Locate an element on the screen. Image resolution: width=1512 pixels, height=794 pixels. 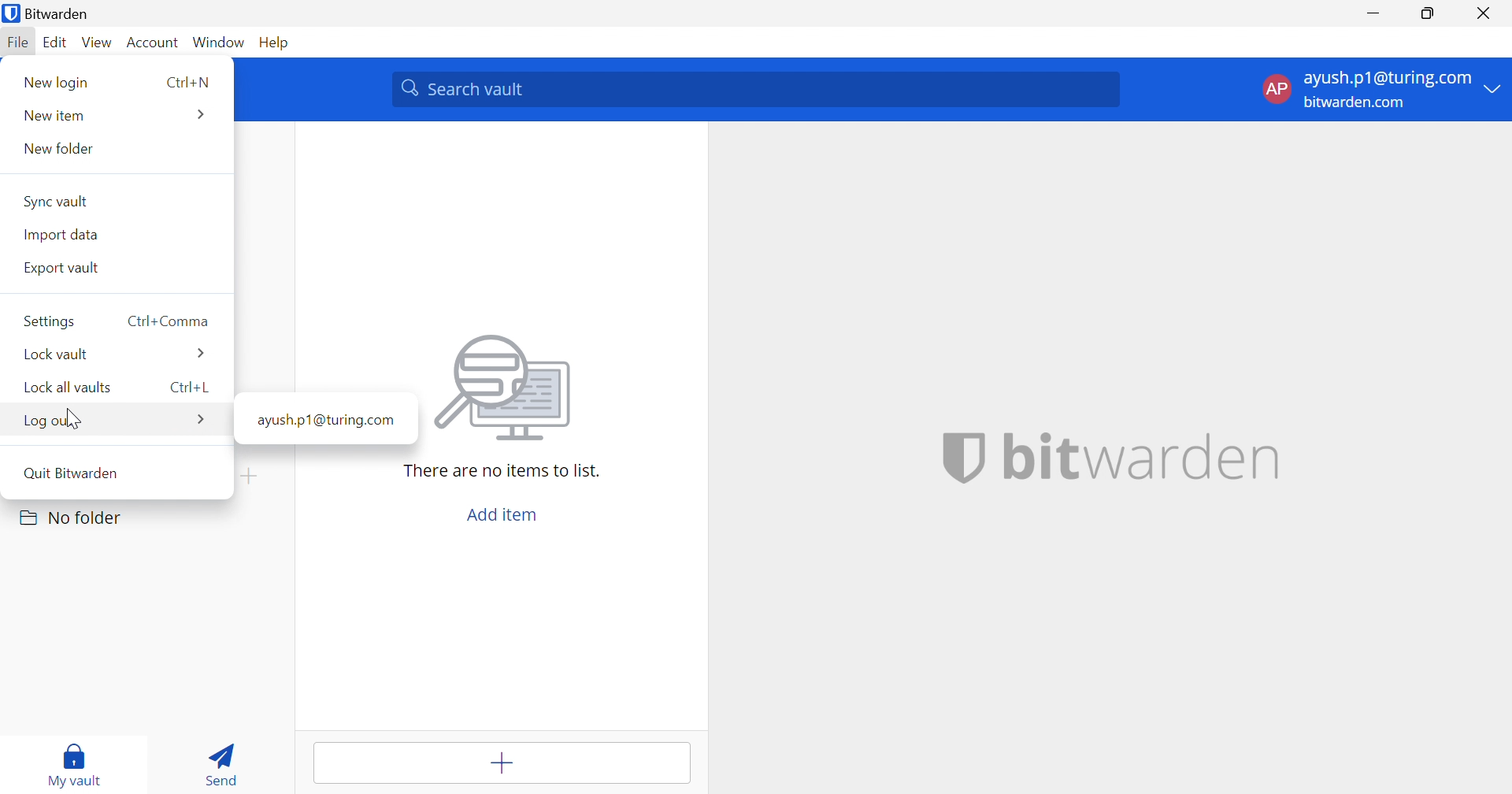
Add tem is located at coordinates (505, 763).